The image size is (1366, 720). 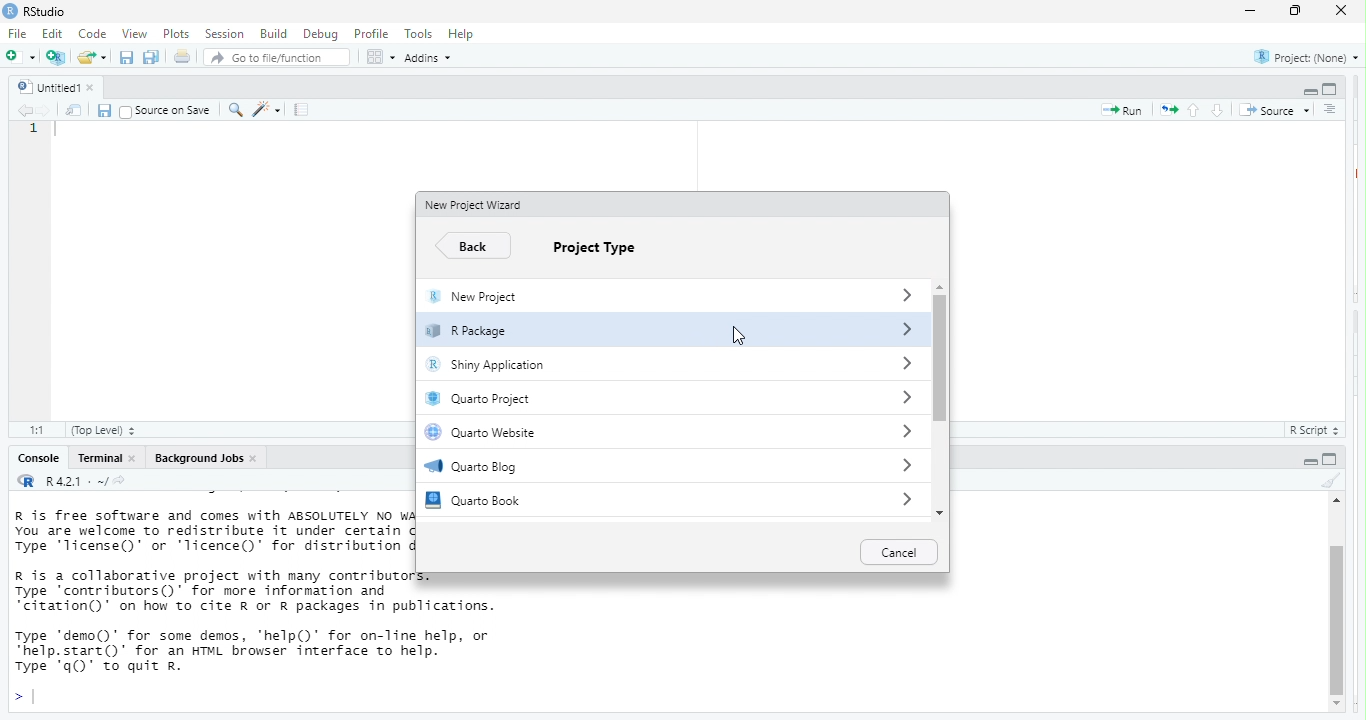 What do you see at coordinates (1309, 431) in the screenshot?
I see `RScript ` at bounding box center [1309, 431].